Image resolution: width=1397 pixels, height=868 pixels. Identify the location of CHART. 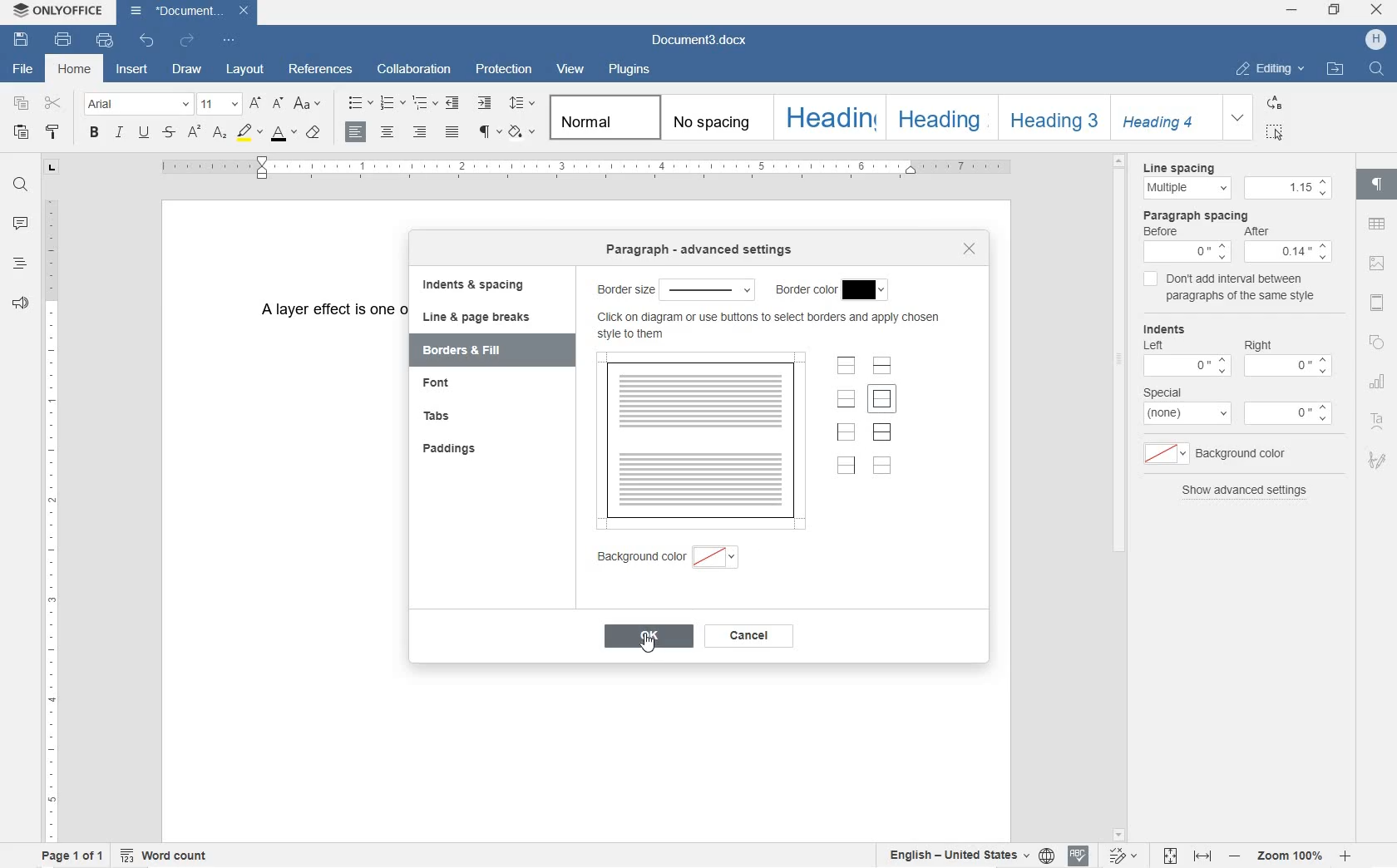
(1376, 381).